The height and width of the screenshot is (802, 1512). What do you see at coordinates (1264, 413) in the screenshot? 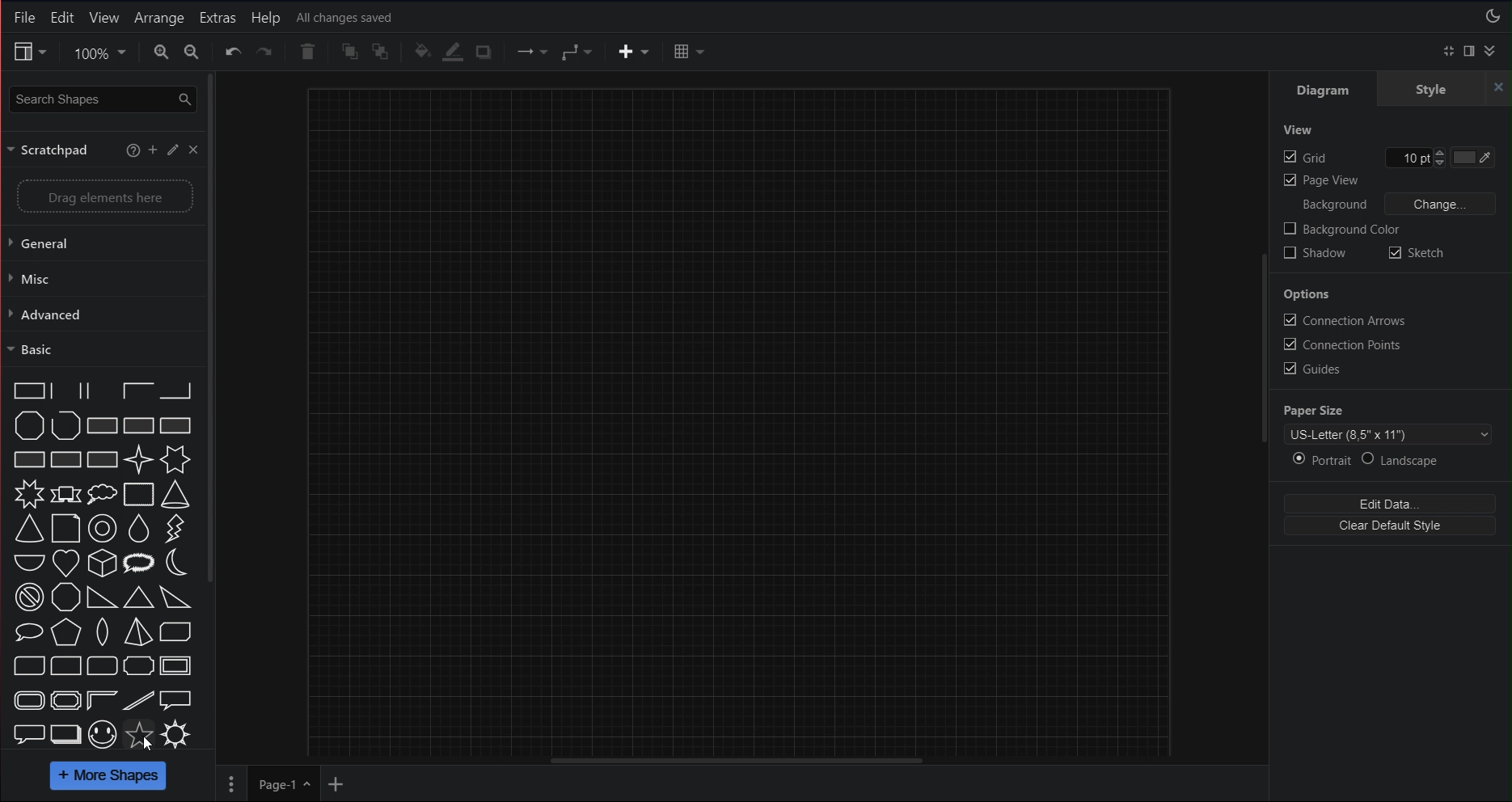
I see `Vertical Scroll bar` at bounding box center [1264, 413].